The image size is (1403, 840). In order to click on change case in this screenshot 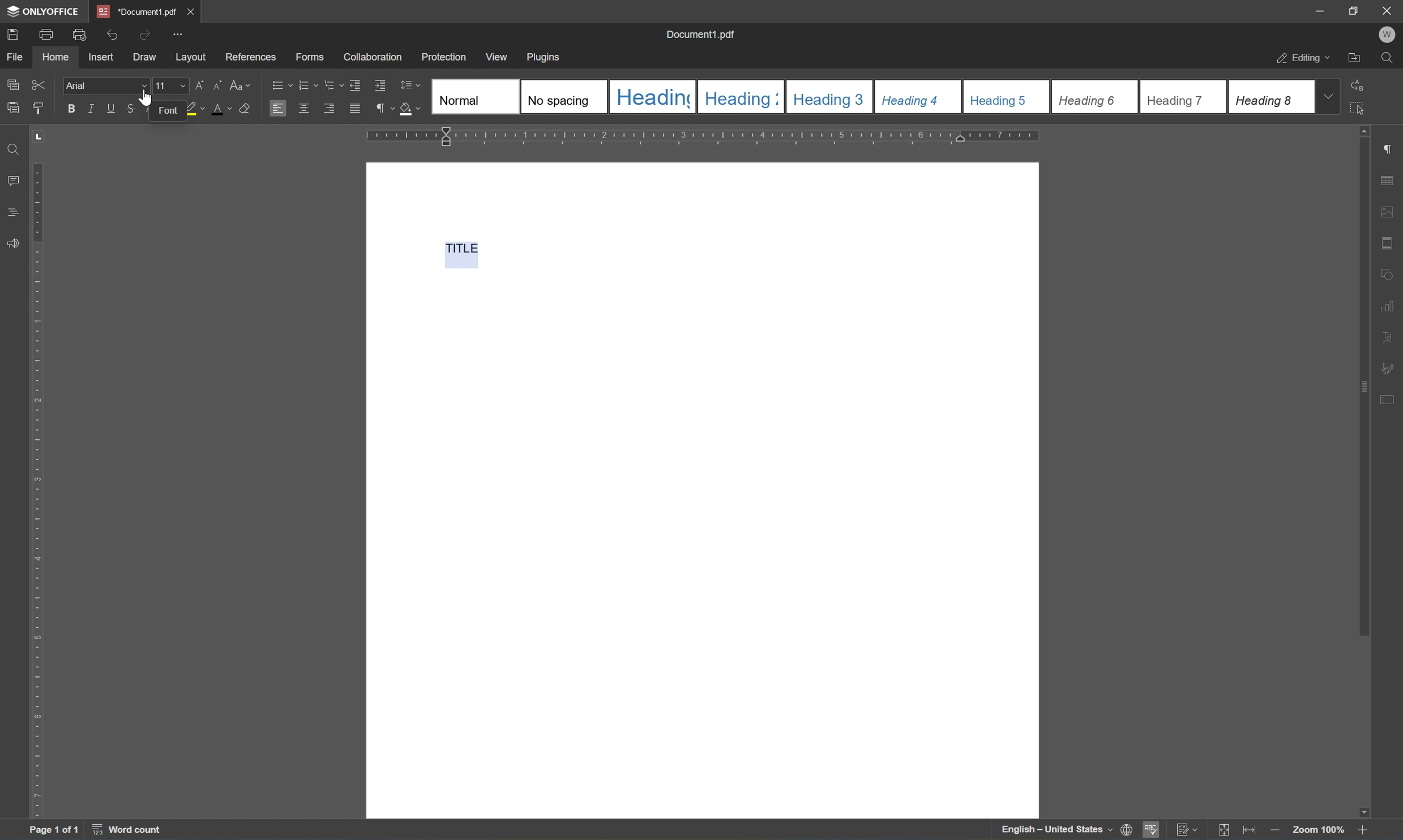, I will do `click(244, 84)`.